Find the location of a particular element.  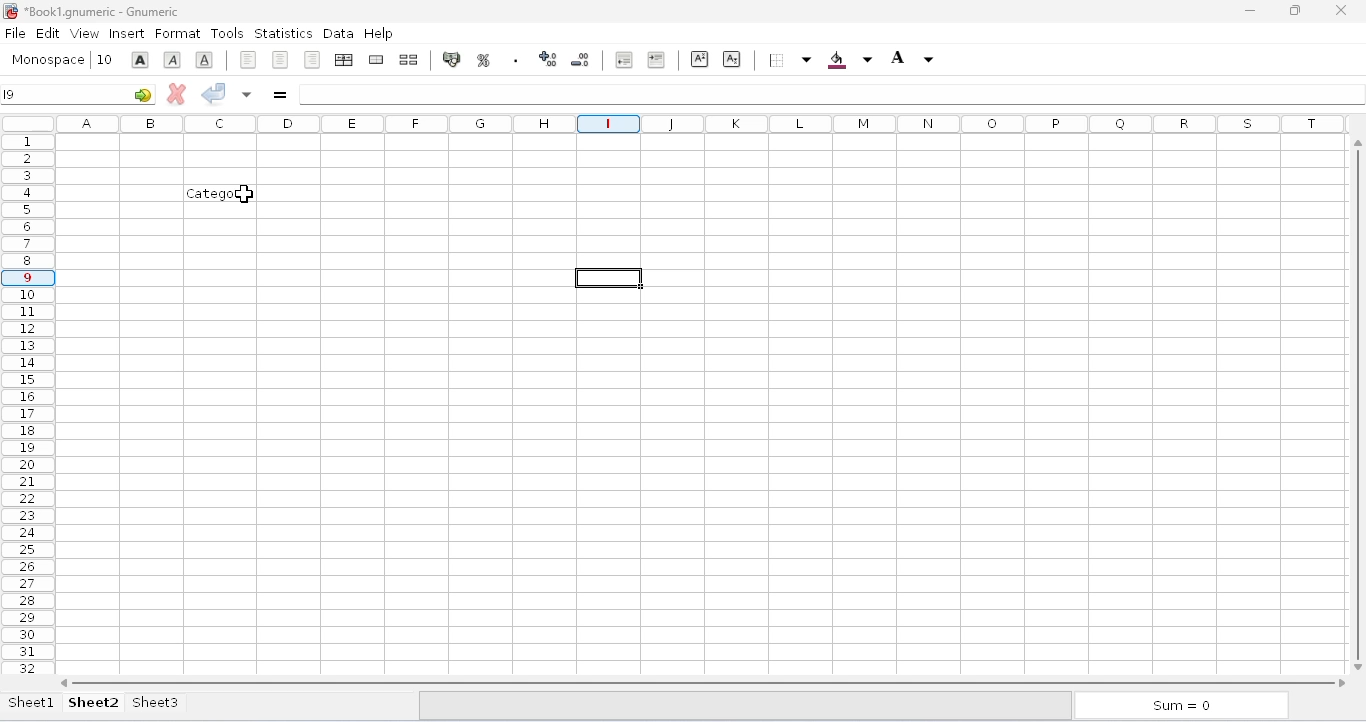

file is located at coordinates (15, 33).